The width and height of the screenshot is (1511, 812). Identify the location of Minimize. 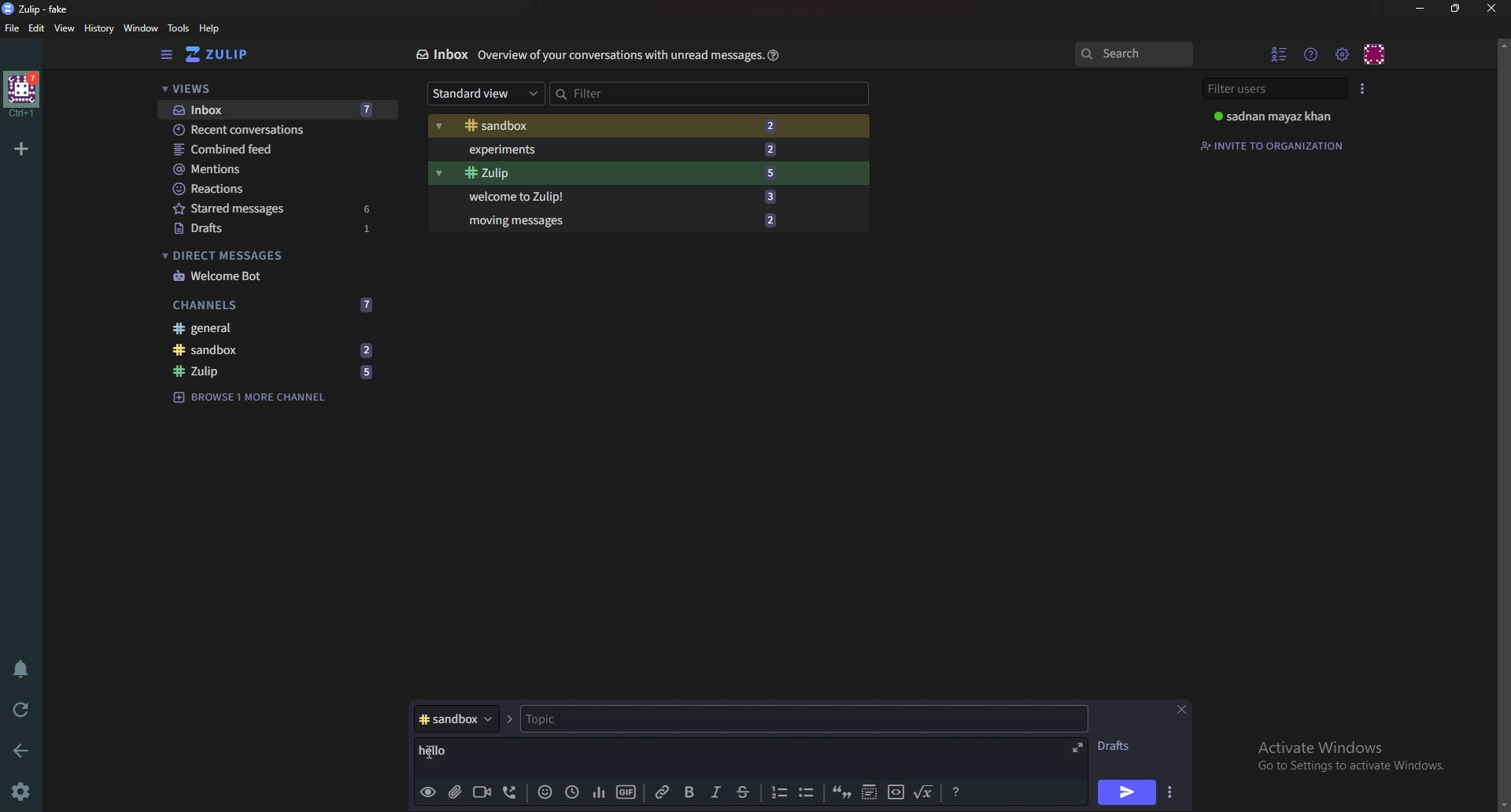
(1420, 8).